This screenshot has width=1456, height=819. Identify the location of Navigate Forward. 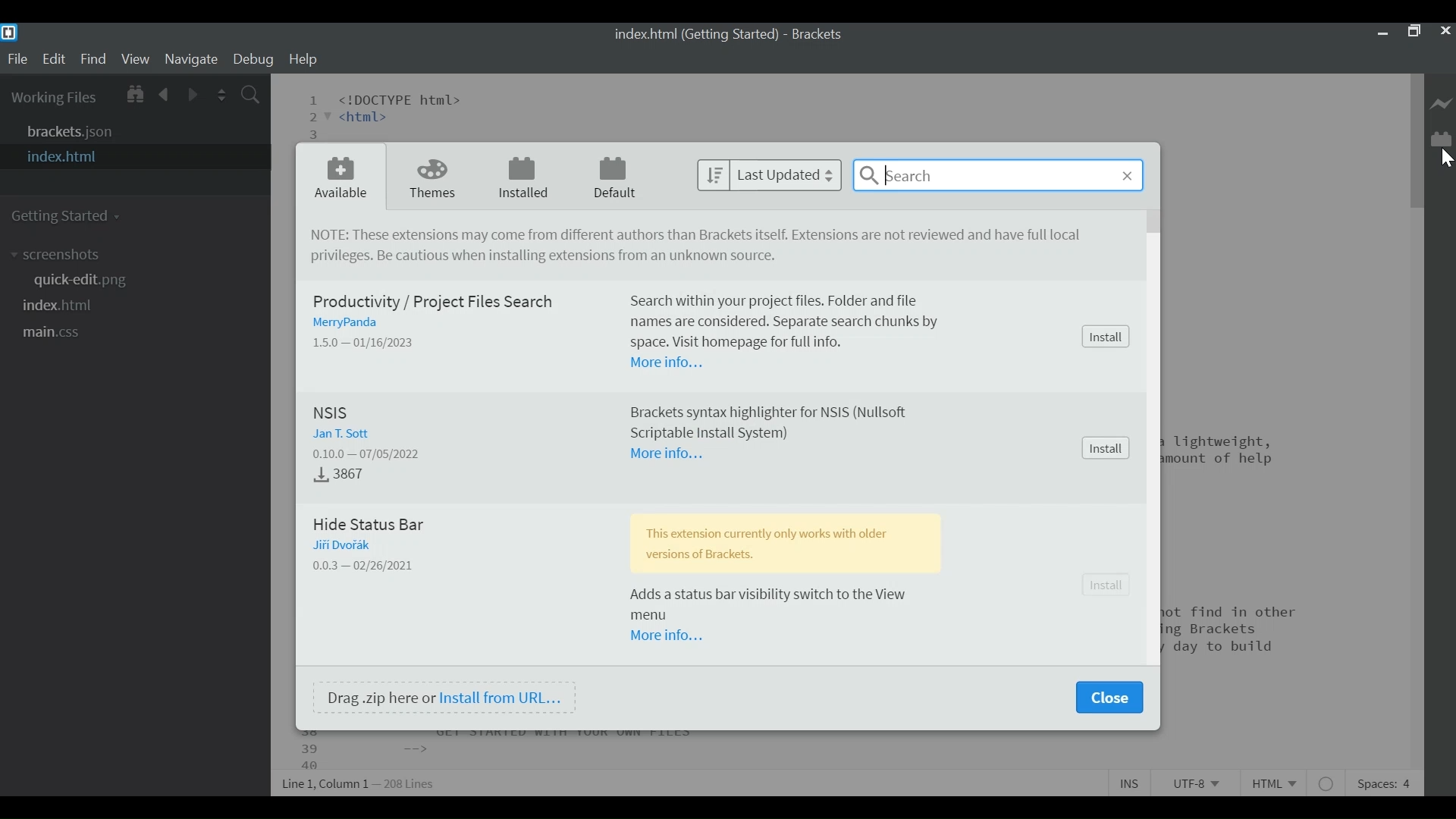
(192, 93).